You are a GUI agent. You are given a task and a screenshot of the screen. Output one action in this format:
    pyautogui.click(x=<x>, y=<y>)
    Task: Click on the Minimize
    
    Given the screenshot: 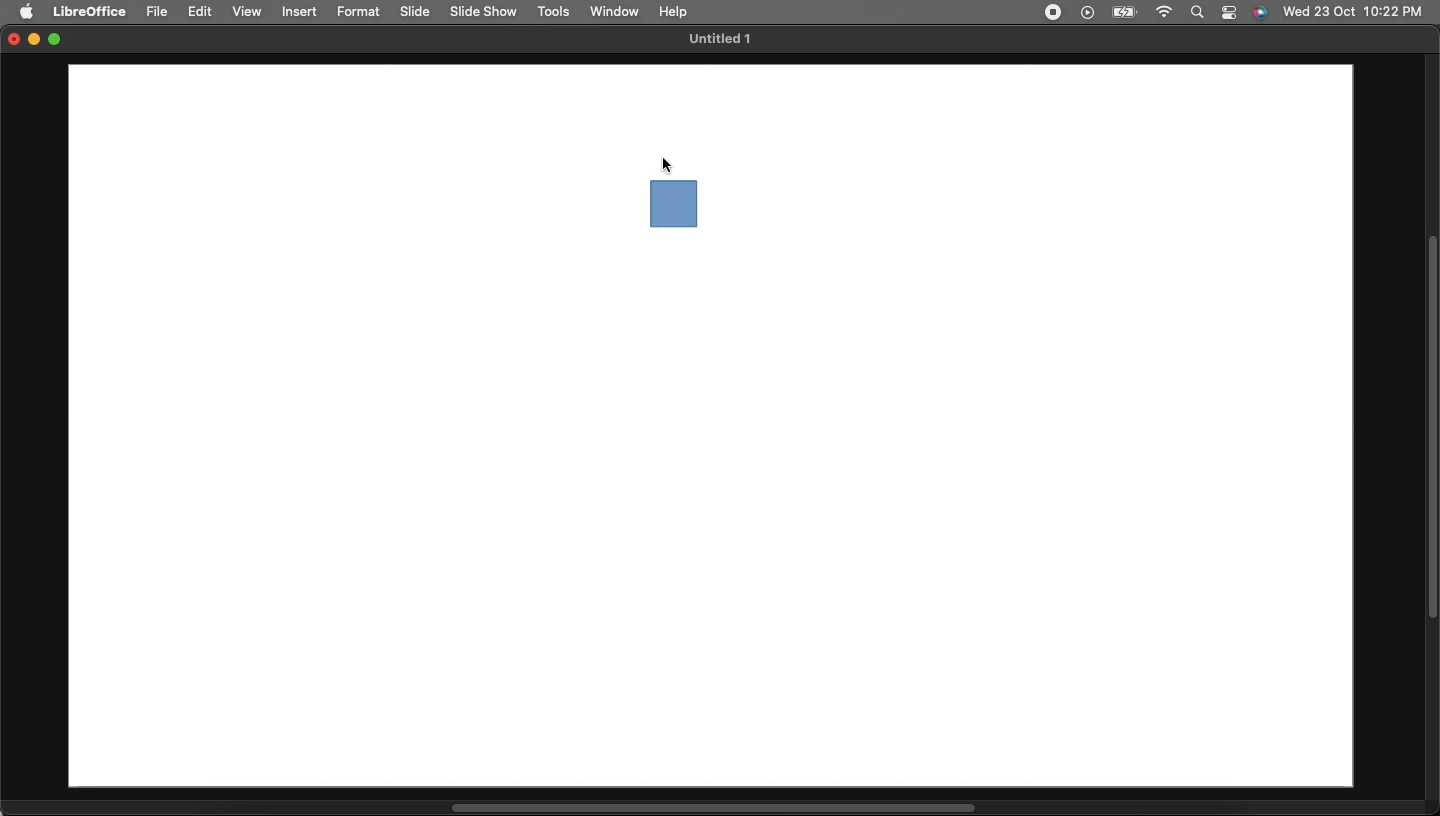 What is the action you would take?
    pyautogui.click(x=35, y=41)
    